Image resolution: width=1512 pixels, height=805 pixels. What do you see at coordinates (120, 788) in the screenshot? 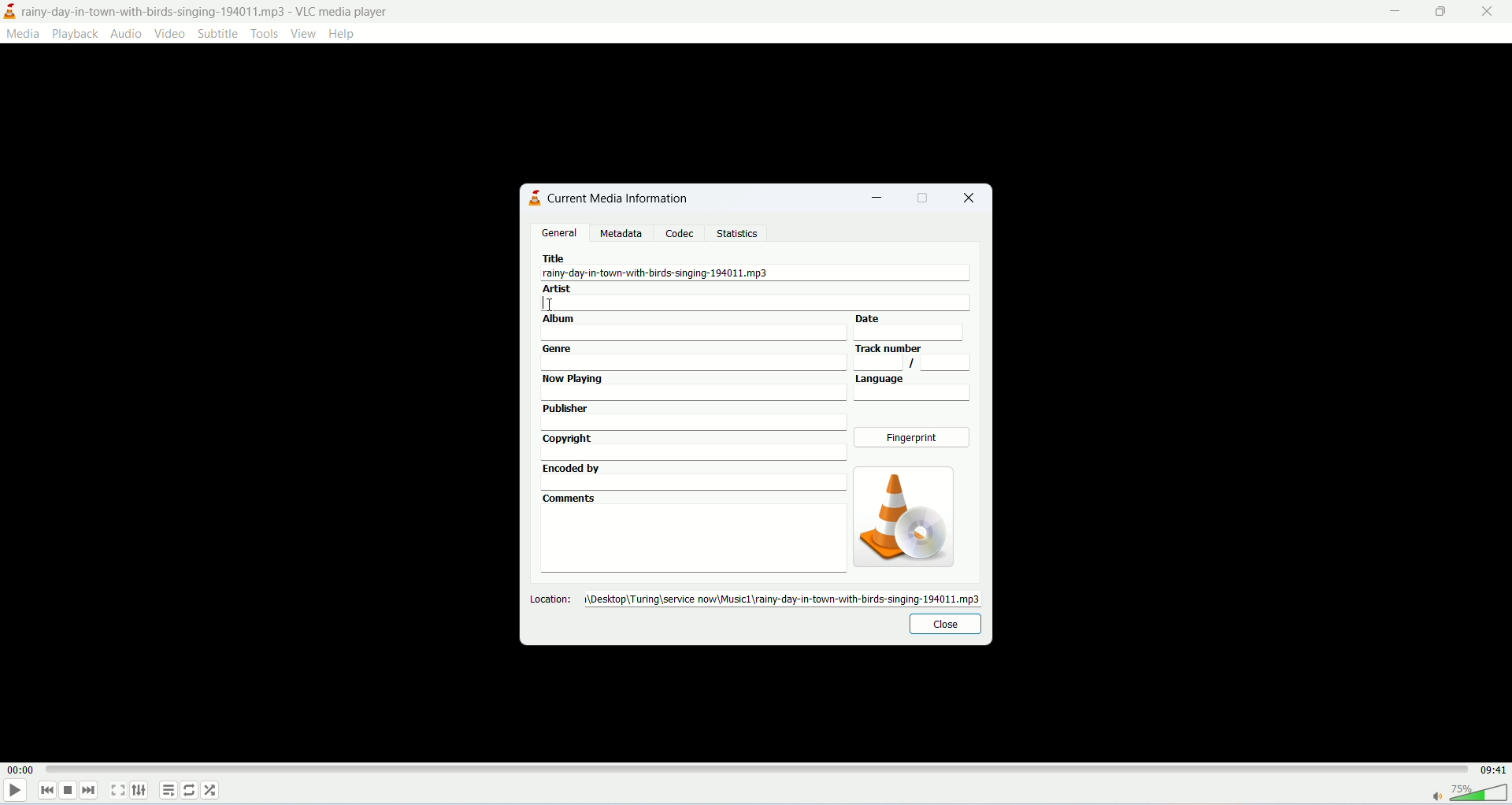
I see `fullscreen` at bounding box center [120, 788].